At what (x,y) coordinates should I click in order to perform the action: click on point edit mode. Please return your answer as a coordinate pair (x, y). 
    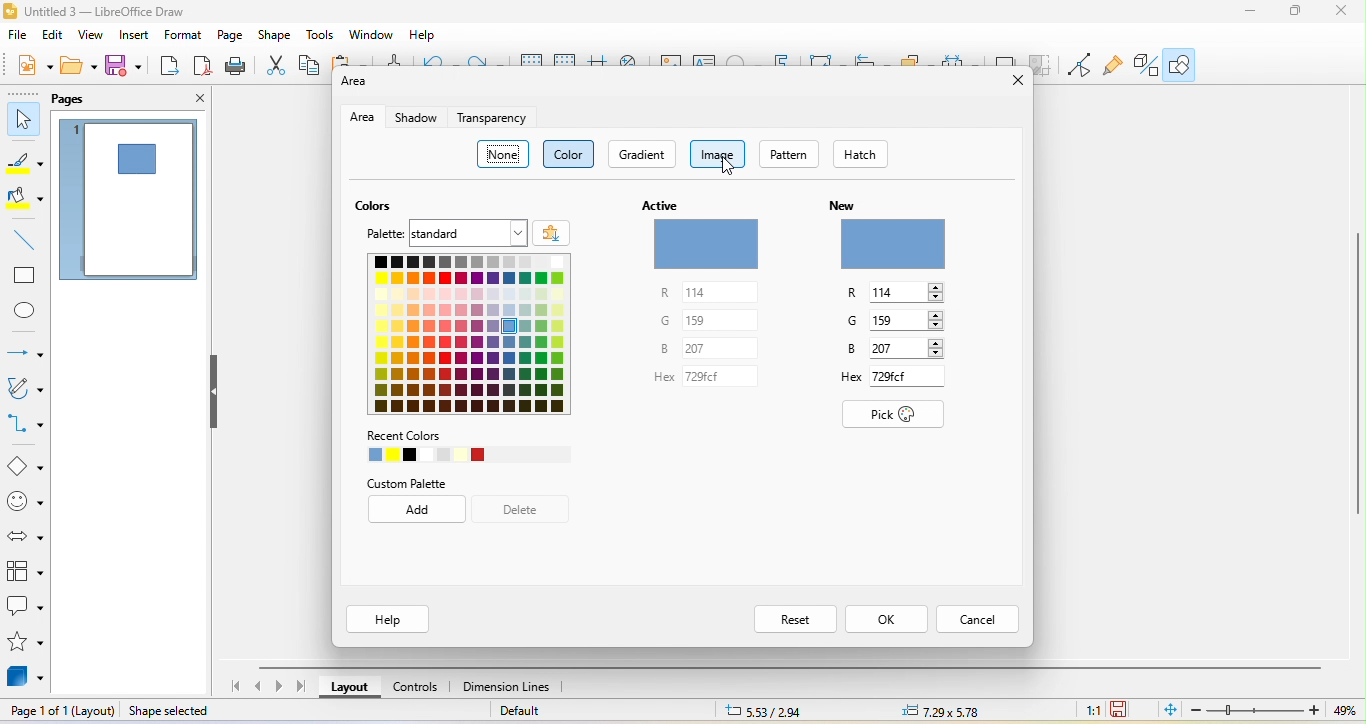
    Looking at the image, I should click on (1079, 65).